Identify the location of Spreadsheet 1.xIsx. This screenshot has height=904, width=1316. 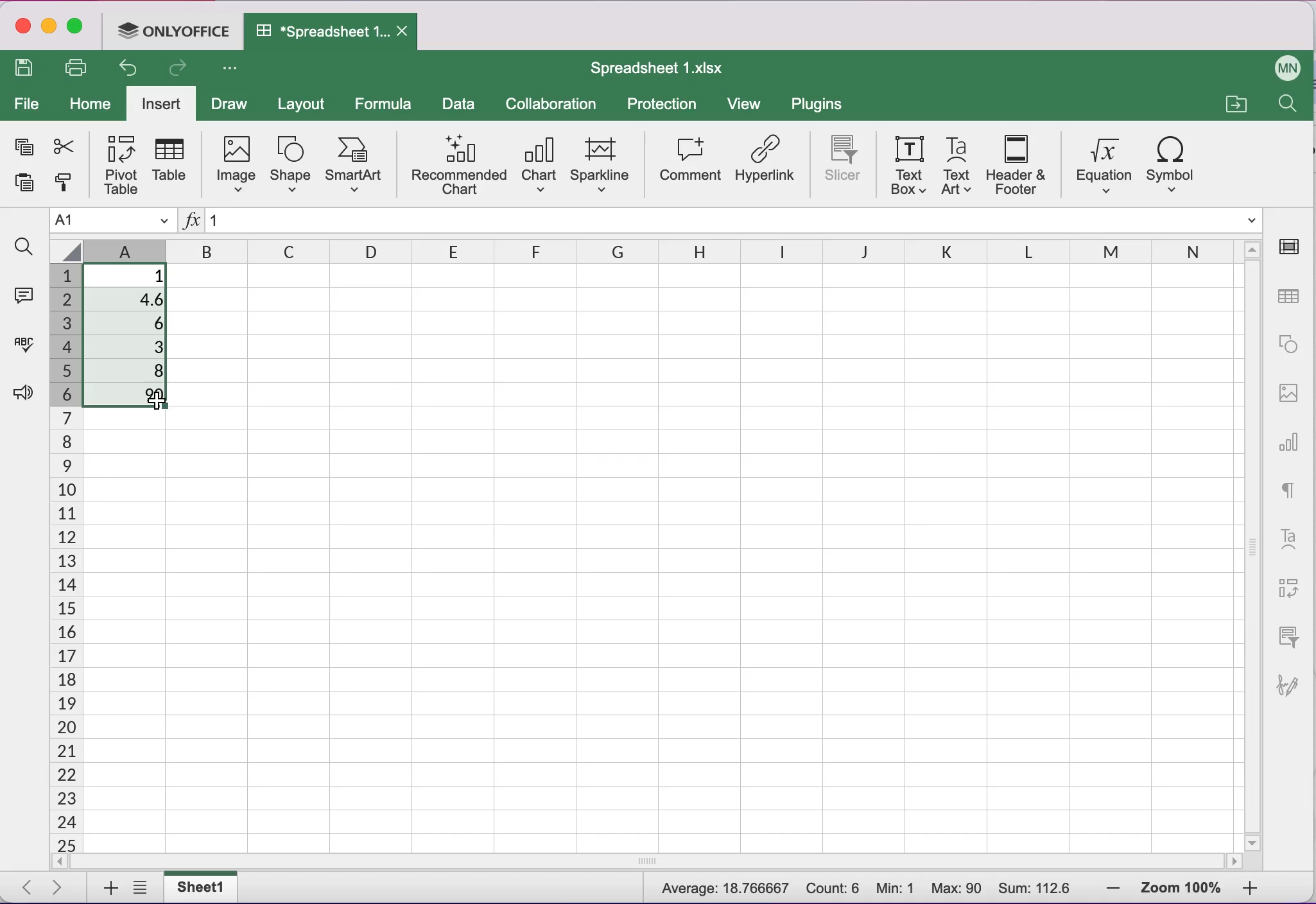
(324, 33).